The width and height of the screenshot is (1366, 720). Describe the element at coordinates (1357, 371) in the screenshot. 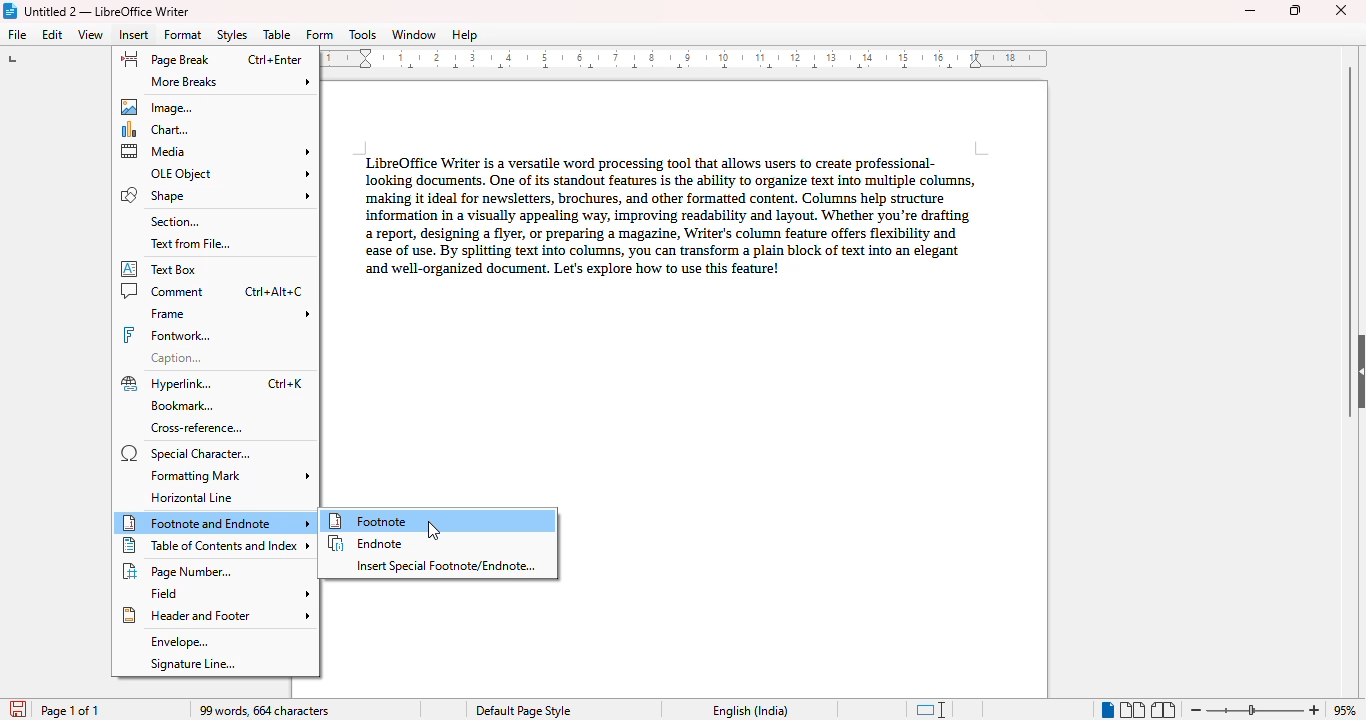

I see `show` at that location.